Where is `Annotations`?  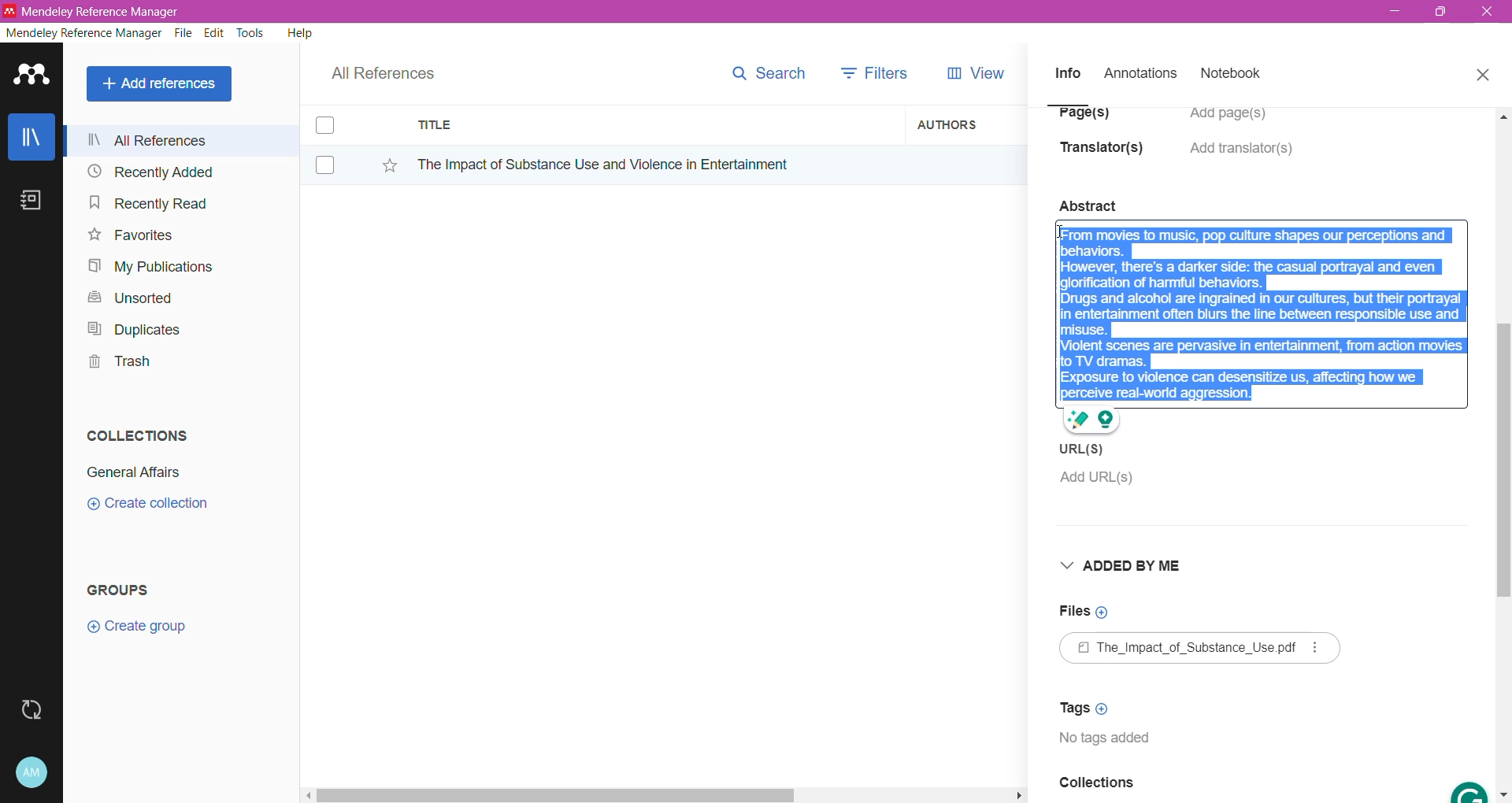
Annotations is located at coordinates (1139, 74).